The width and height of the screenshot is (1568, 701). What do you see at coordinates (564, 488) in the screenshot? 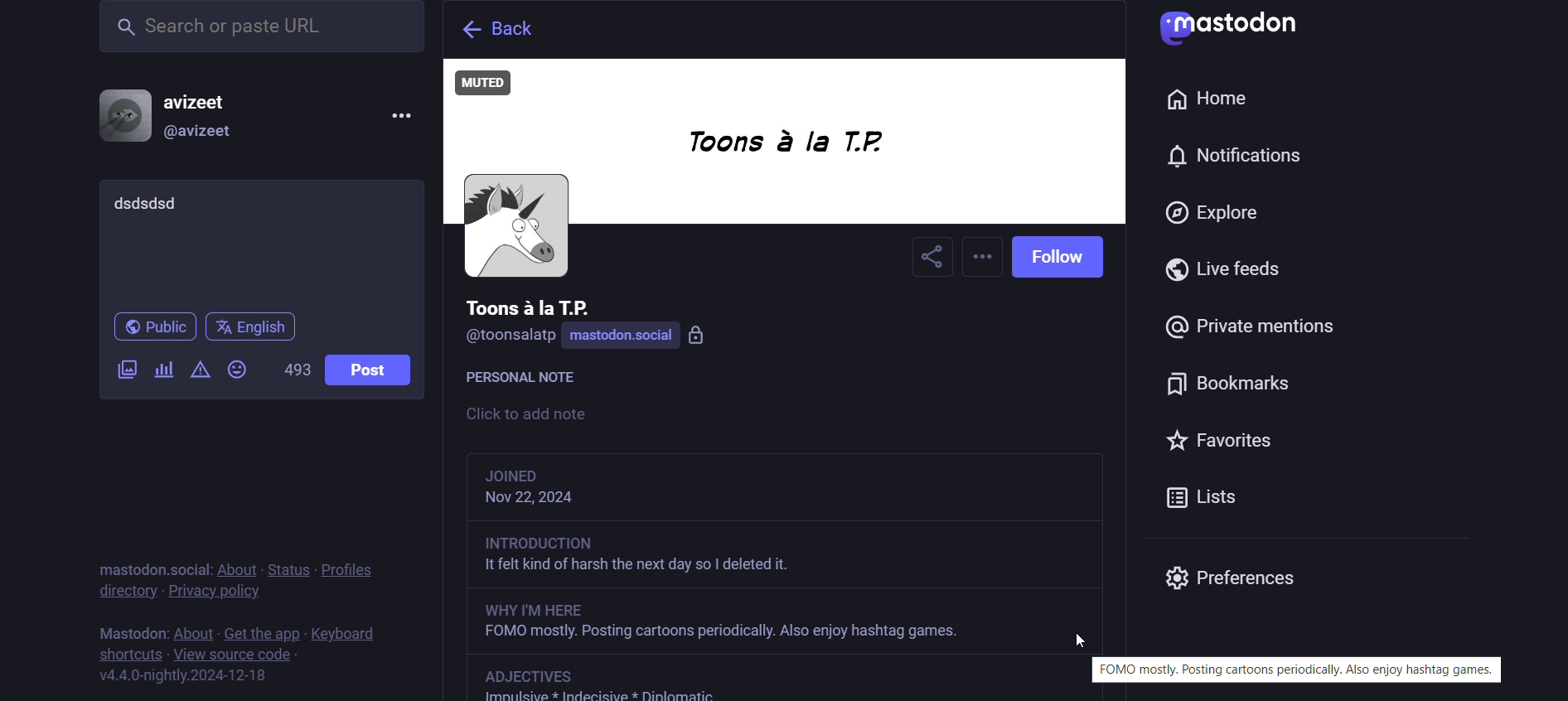
I see `user informatin` at bounding box center [564, 488].